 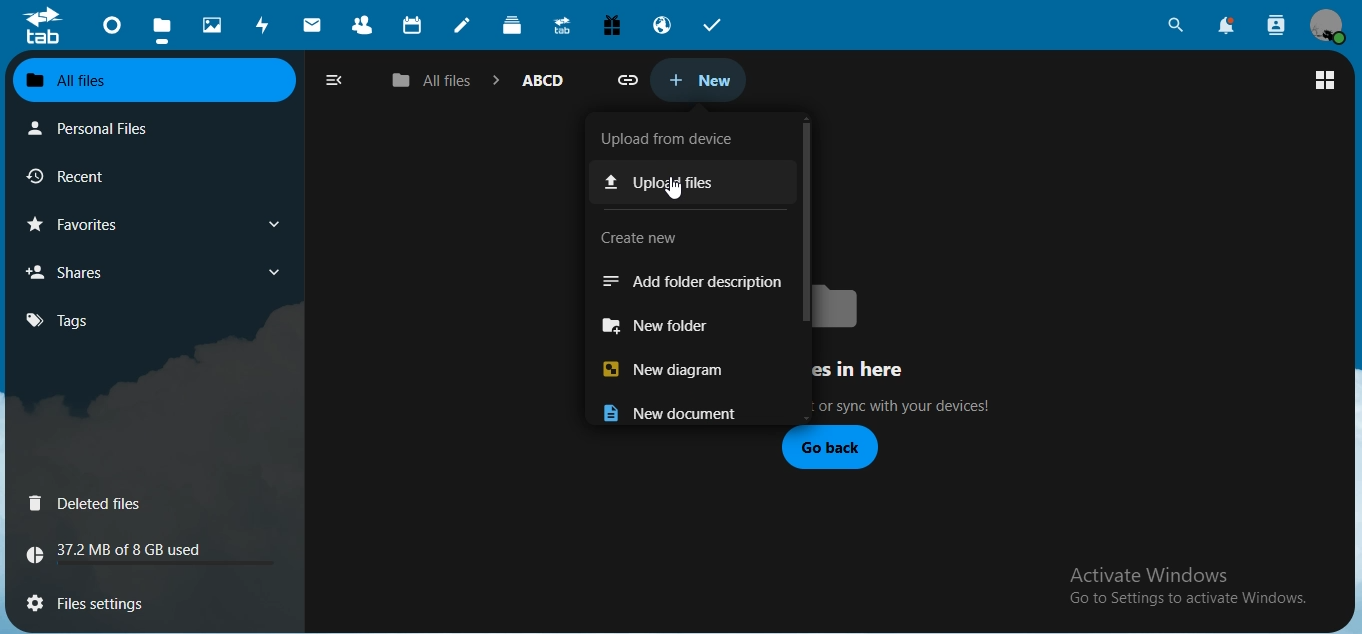 I want to click on shares, so click(x=75, y=271).